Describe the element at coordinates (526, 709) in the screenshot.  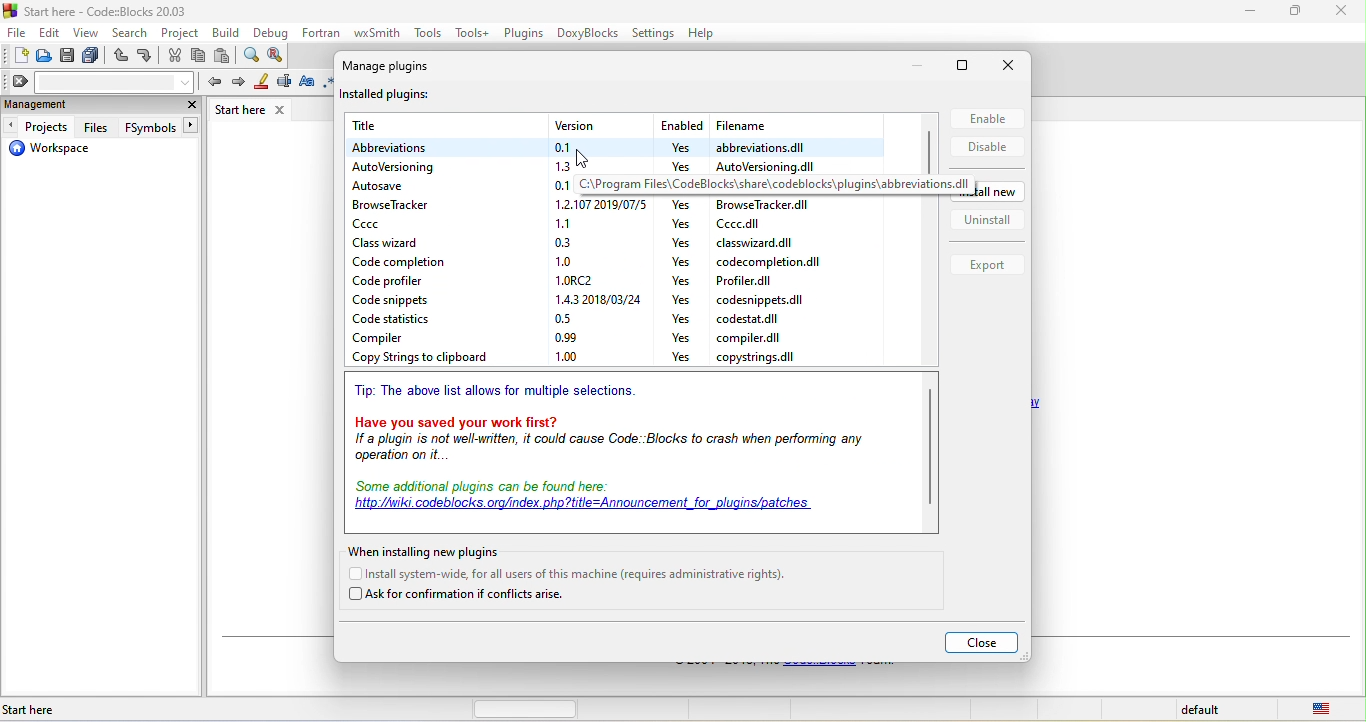
I see `horizontal scroll bar` at that location.